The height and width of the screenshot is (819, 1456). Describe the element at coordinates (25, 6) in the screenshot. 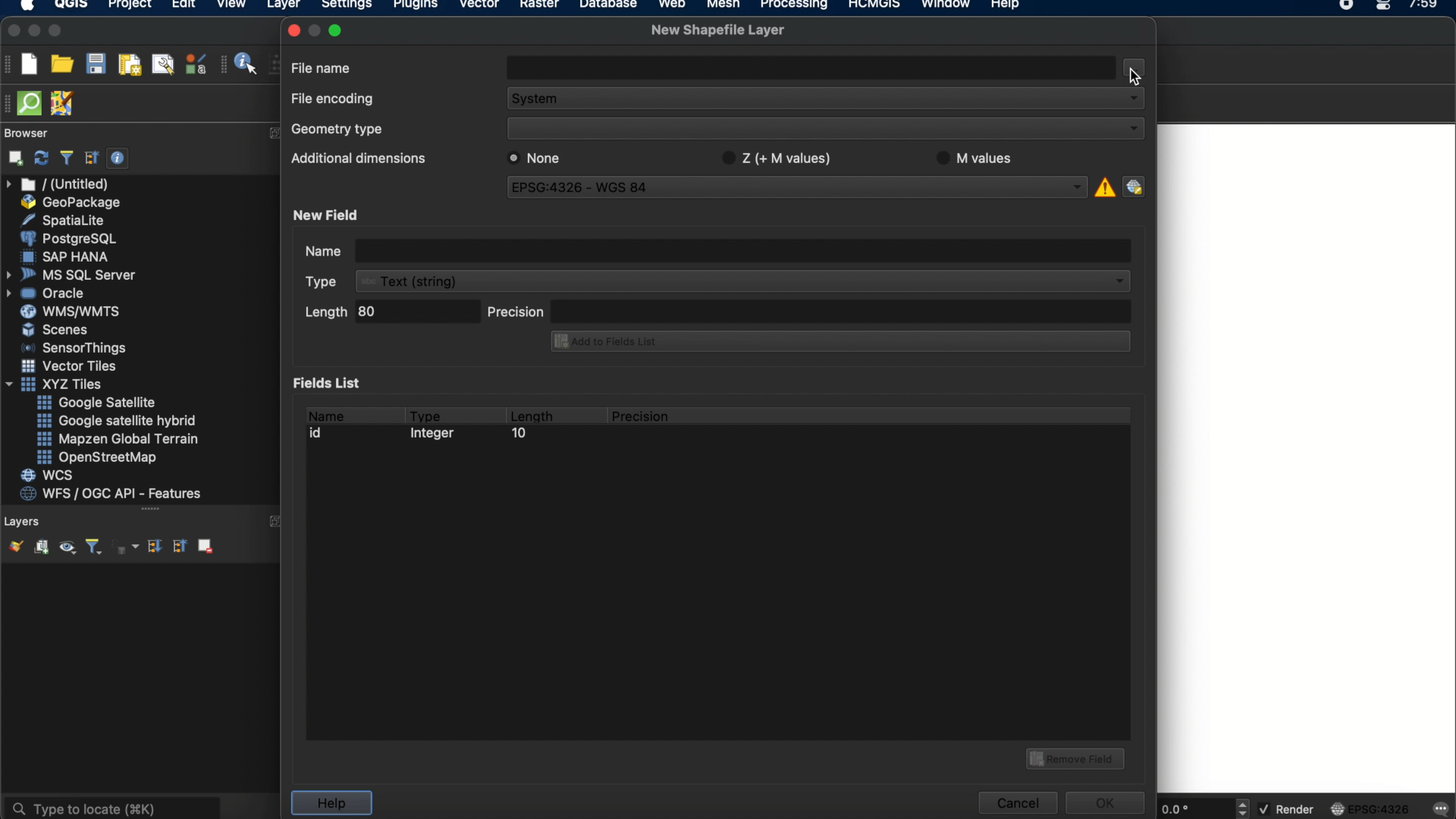

I see `apple logo` at that location.